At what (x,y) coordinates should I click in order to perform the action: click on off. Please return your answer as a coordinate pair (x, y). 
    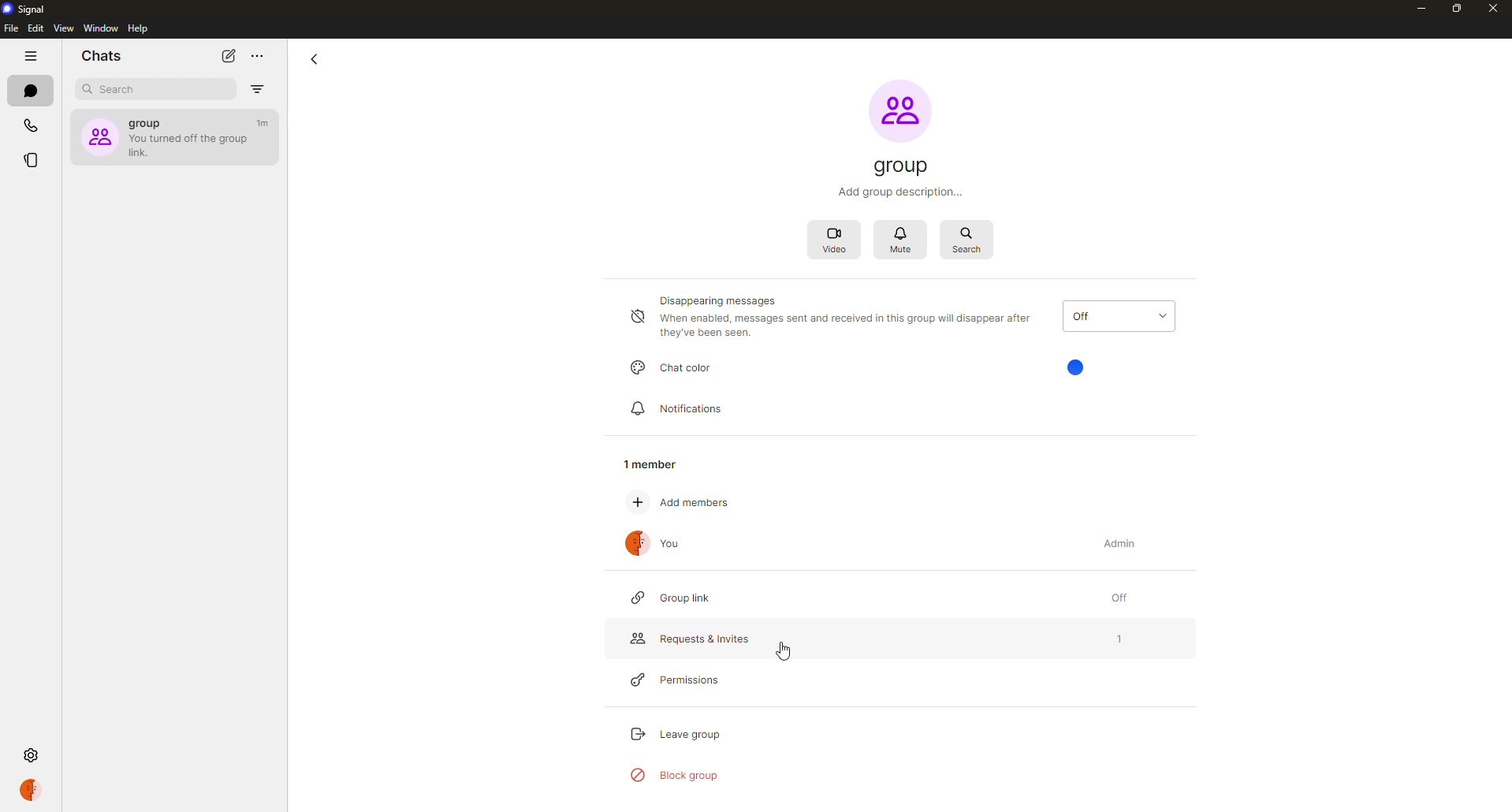
    Looking at the image, I should click on (1117, 598).